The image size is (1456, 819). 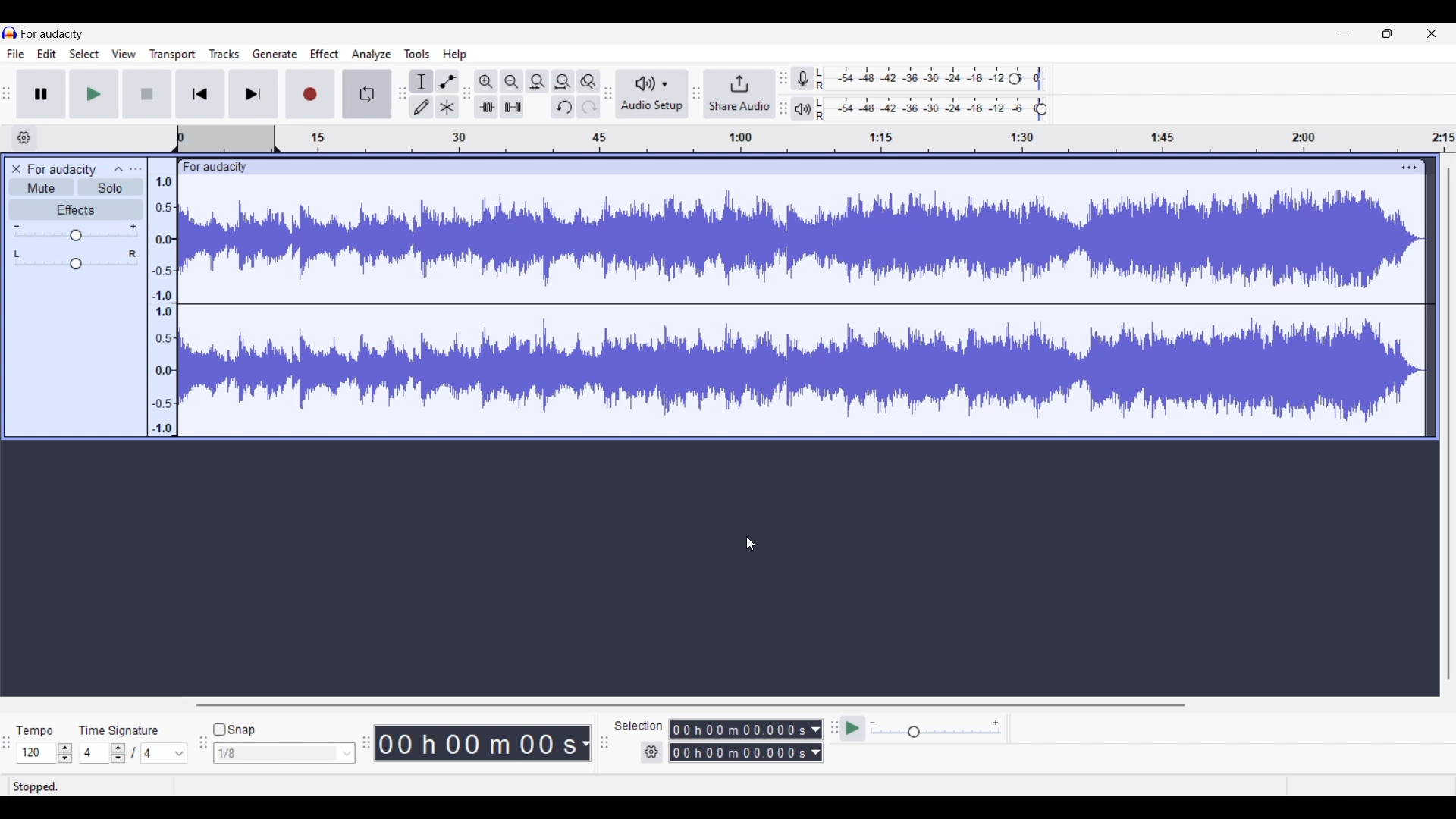 I want to click on Generate menu, so click(x=275, y=54).